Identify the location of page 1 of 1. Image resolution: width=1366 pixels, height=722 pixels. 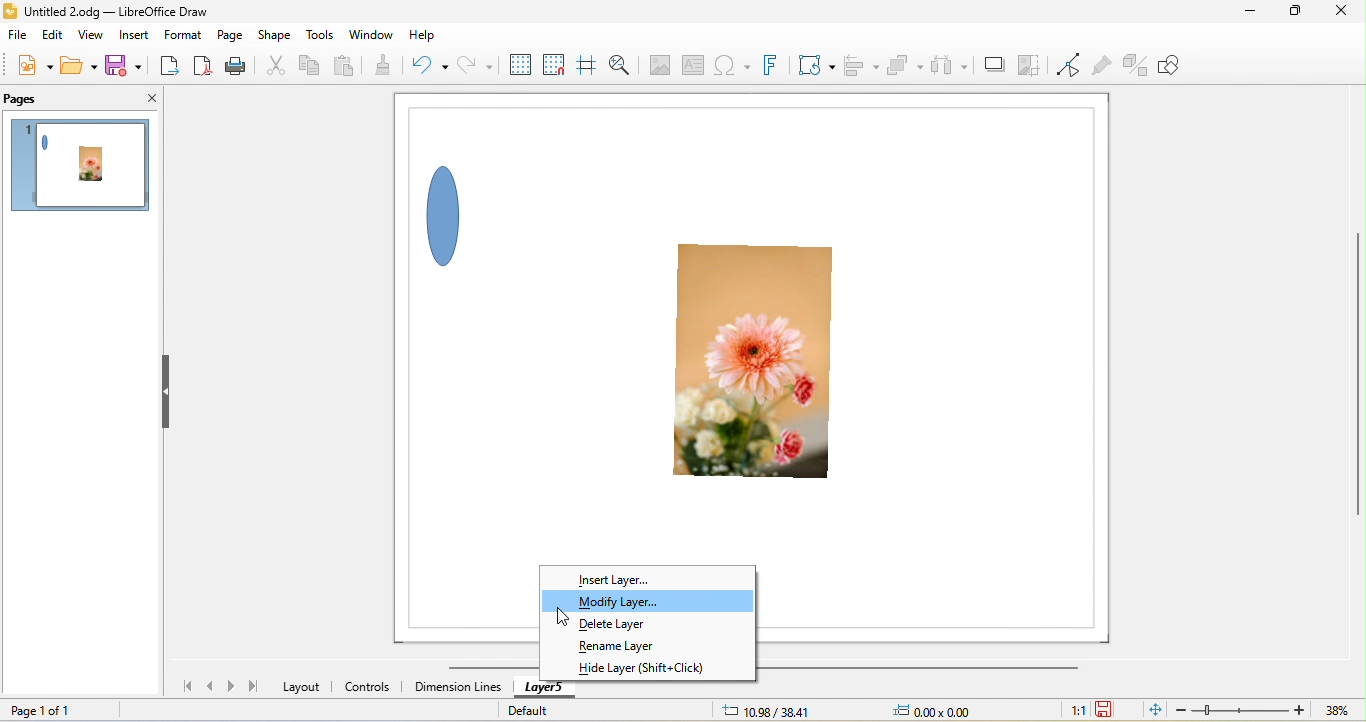
(41, 710).